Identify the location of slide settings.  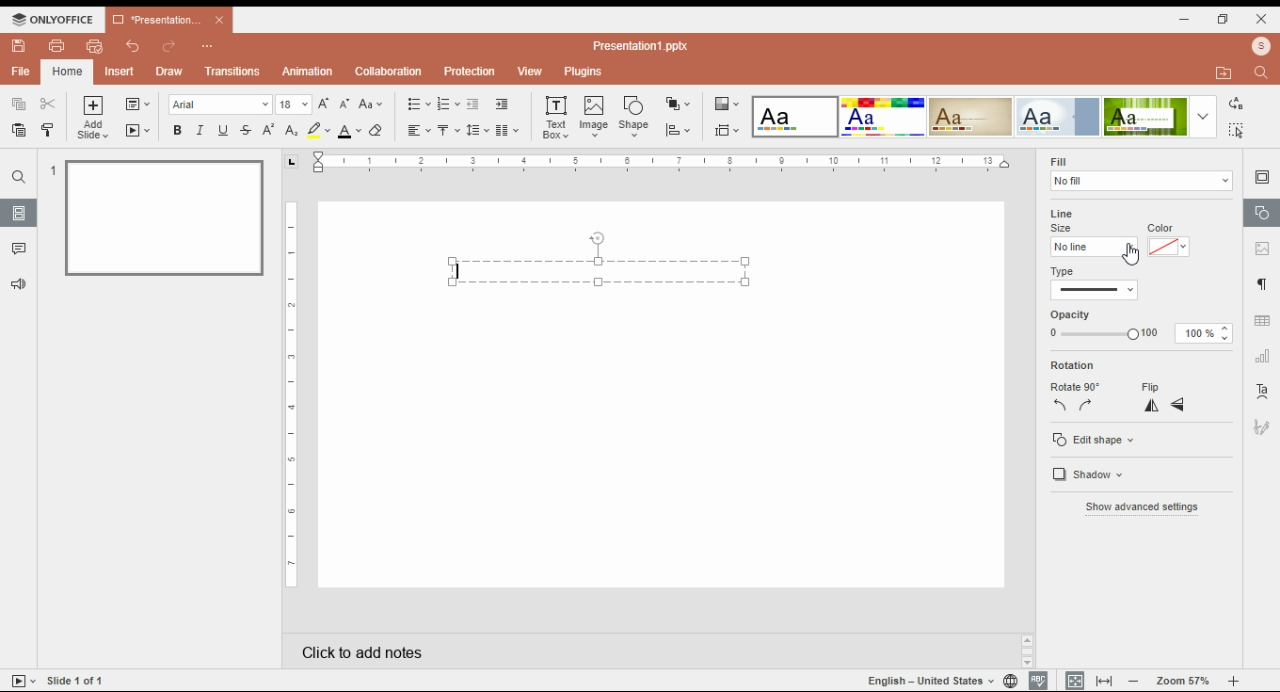
(1263, 178).